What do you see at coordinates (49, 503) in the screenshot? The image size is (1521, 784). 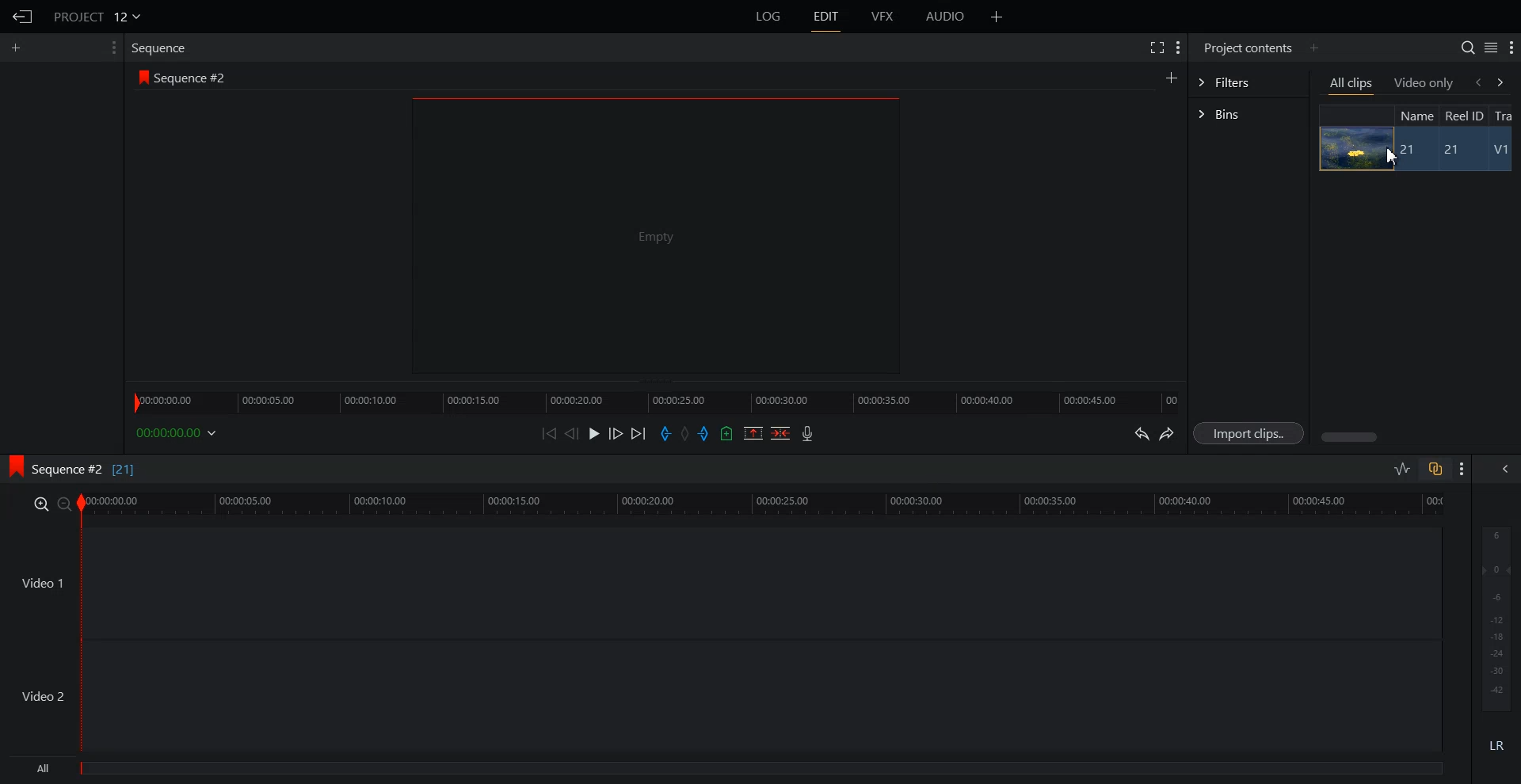 I see `zoom in/zoom out` at bounding box center [49, 503].